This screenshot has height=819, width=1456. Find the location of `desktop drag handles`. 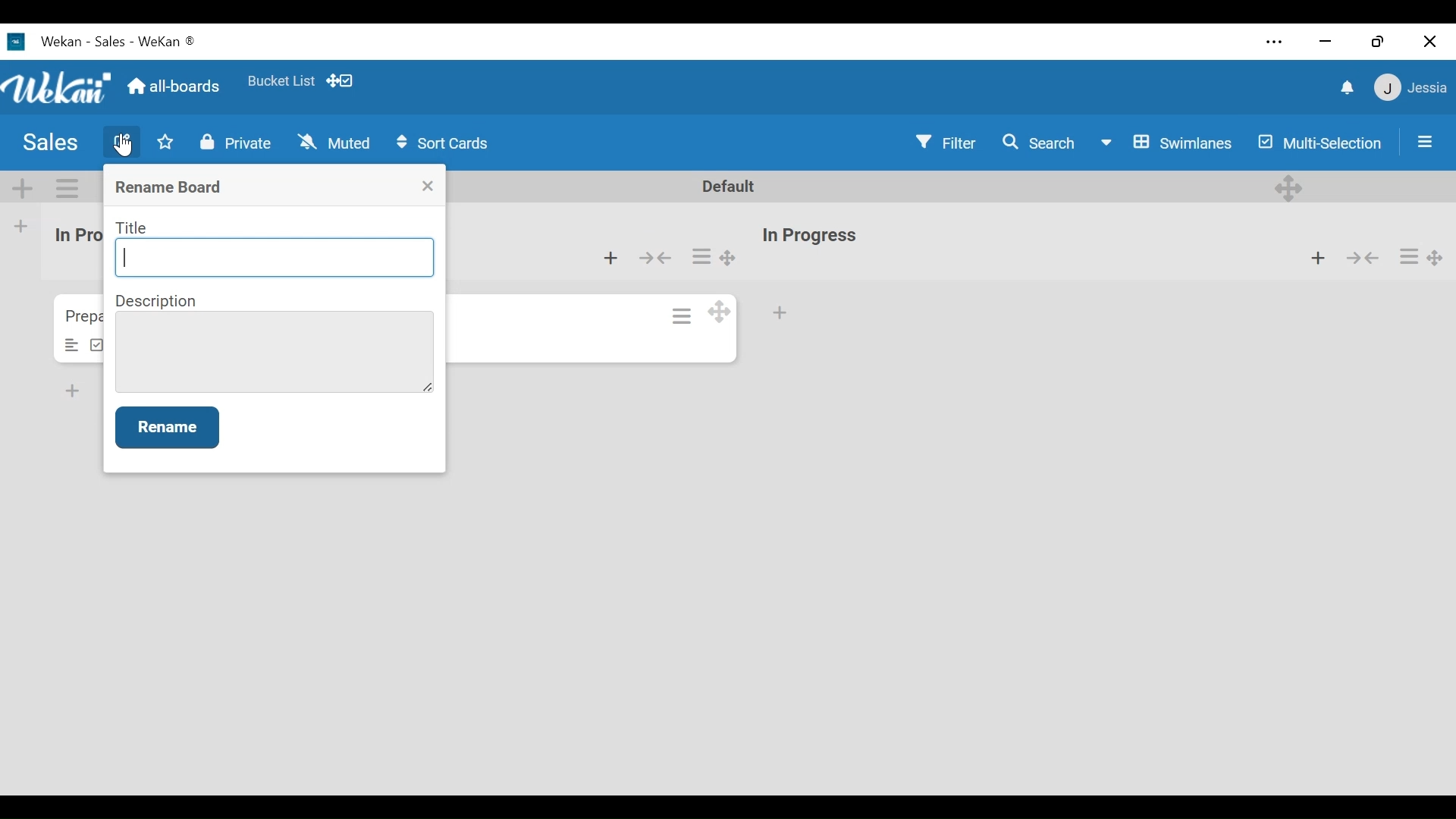

desktop drag handles is located at coordinates (1289, 188).